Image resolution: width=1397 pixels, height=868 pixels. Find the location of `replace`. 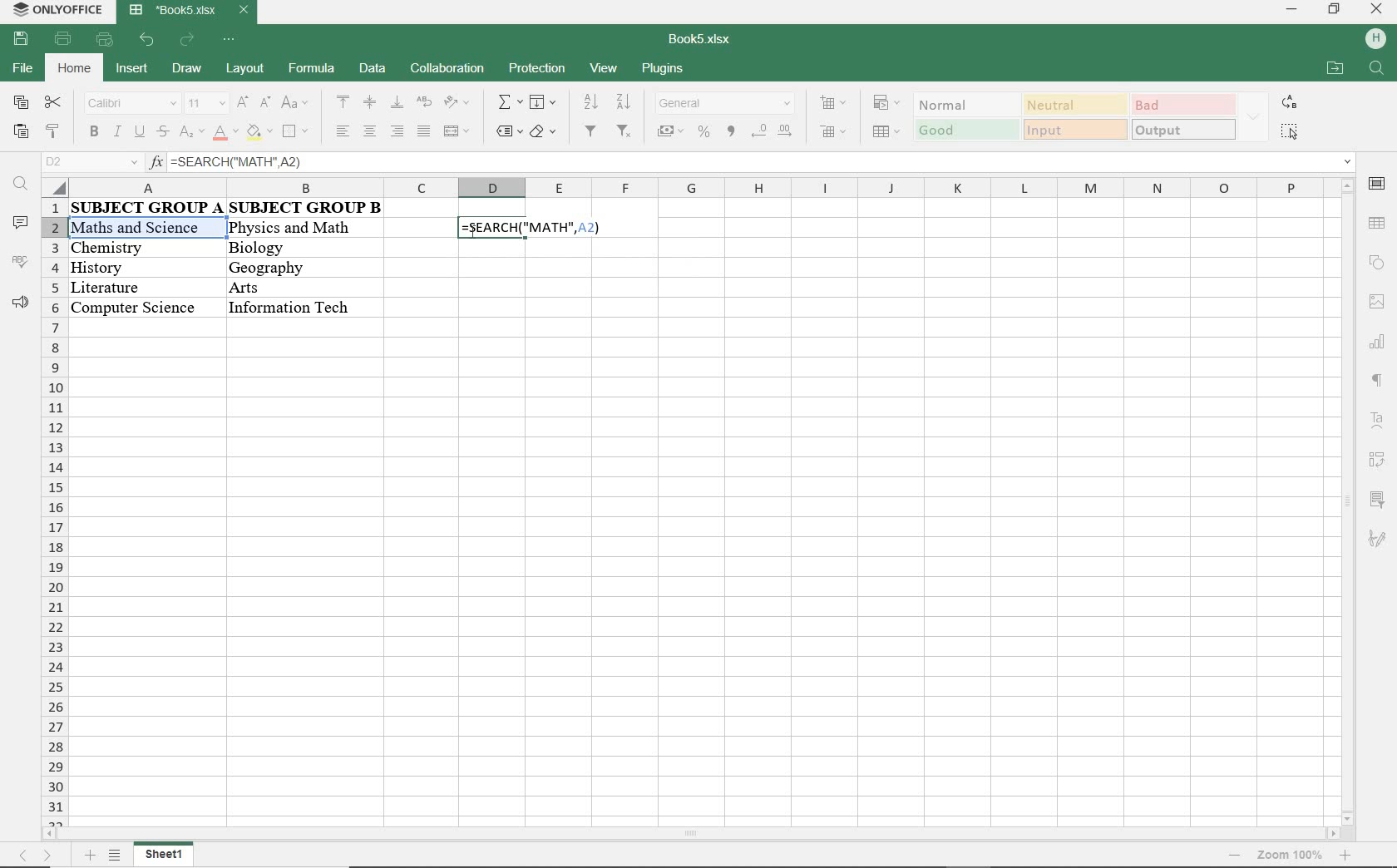

replace is located at coordinates (1290, 101).